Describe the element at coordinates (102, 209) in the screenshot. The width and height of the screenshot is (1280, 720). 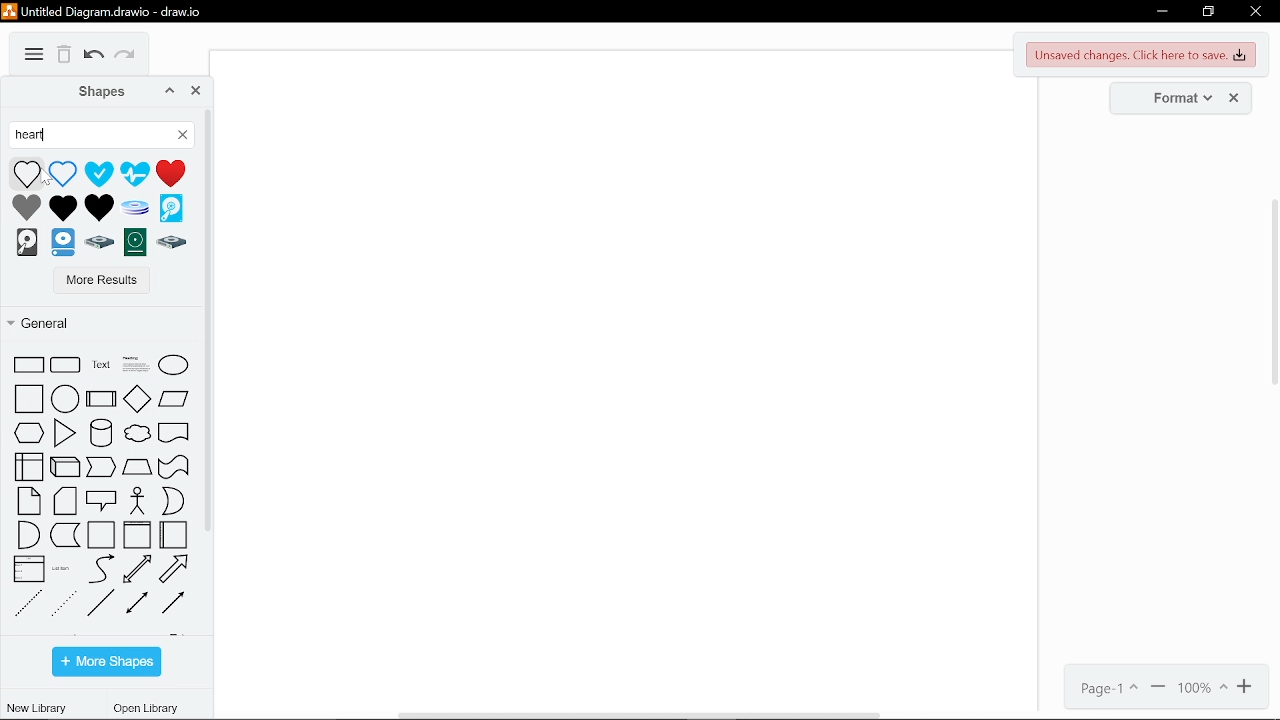
I see `Heart 2` at that location.